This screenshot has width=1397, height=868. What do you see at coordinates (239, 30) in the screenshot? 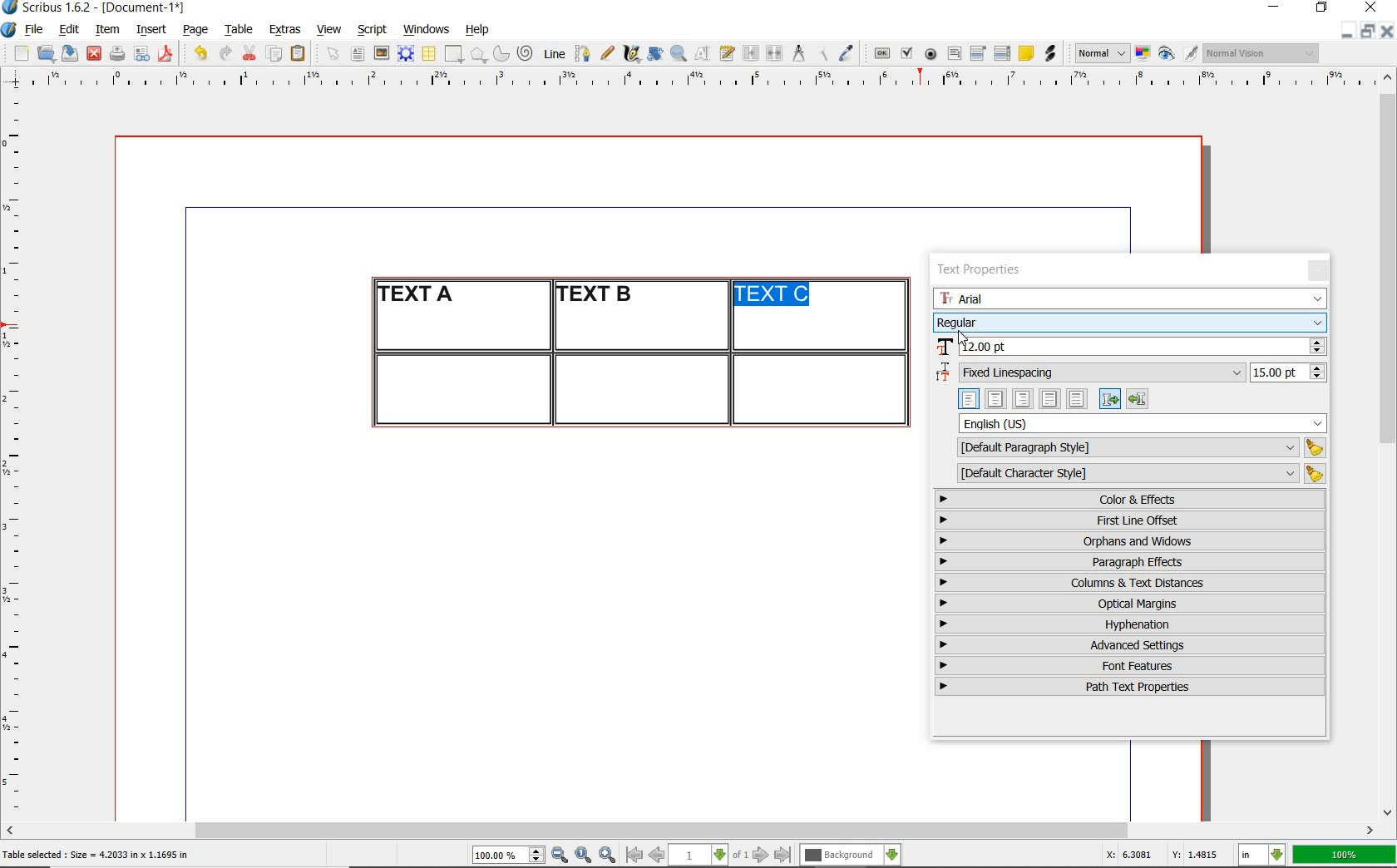
I see `table` at bounding box center [239, 30].